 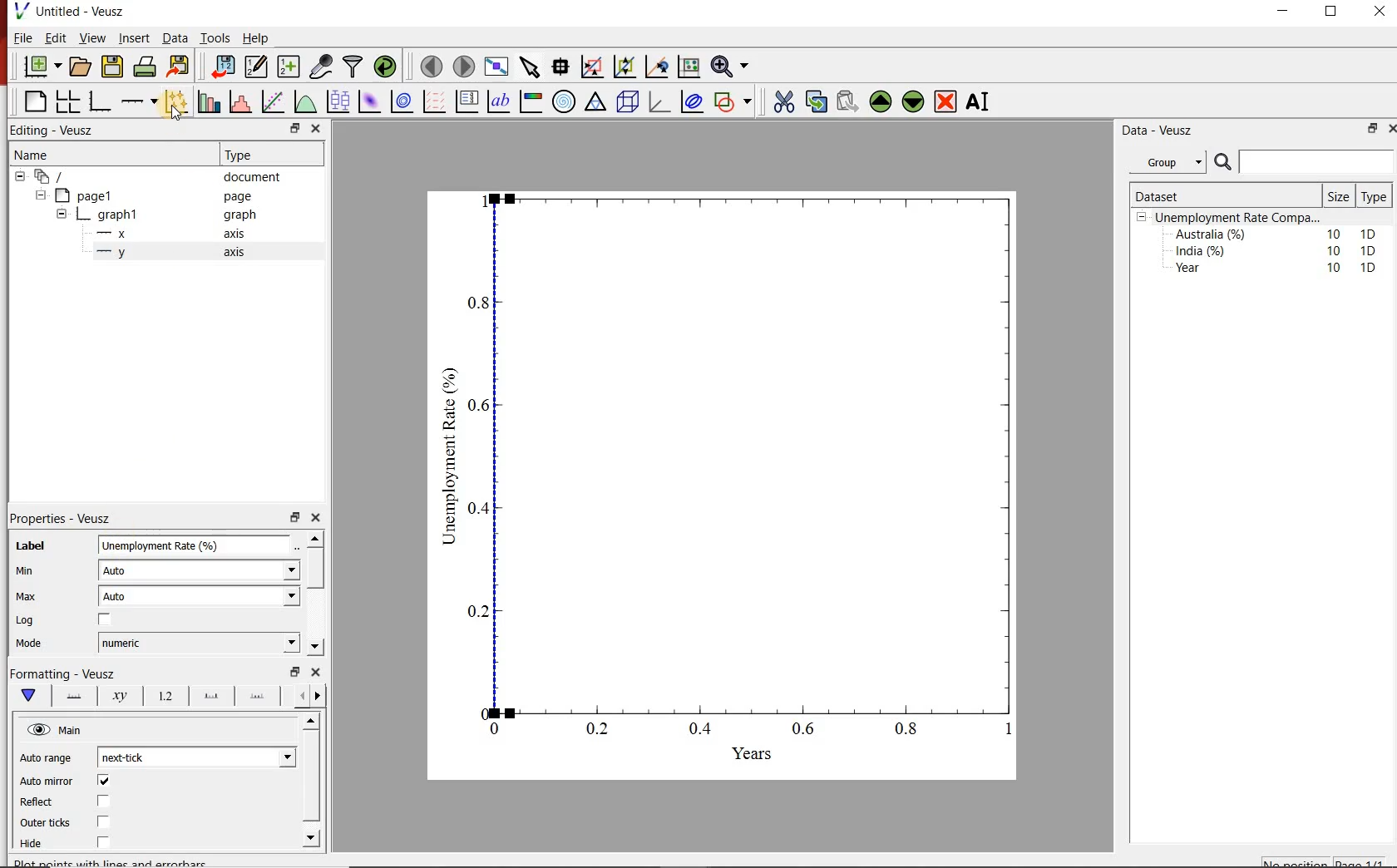 What do you see at coordinates (466, 102) in the screenshot?
I see `plot key` at bounding box center [466, 102].